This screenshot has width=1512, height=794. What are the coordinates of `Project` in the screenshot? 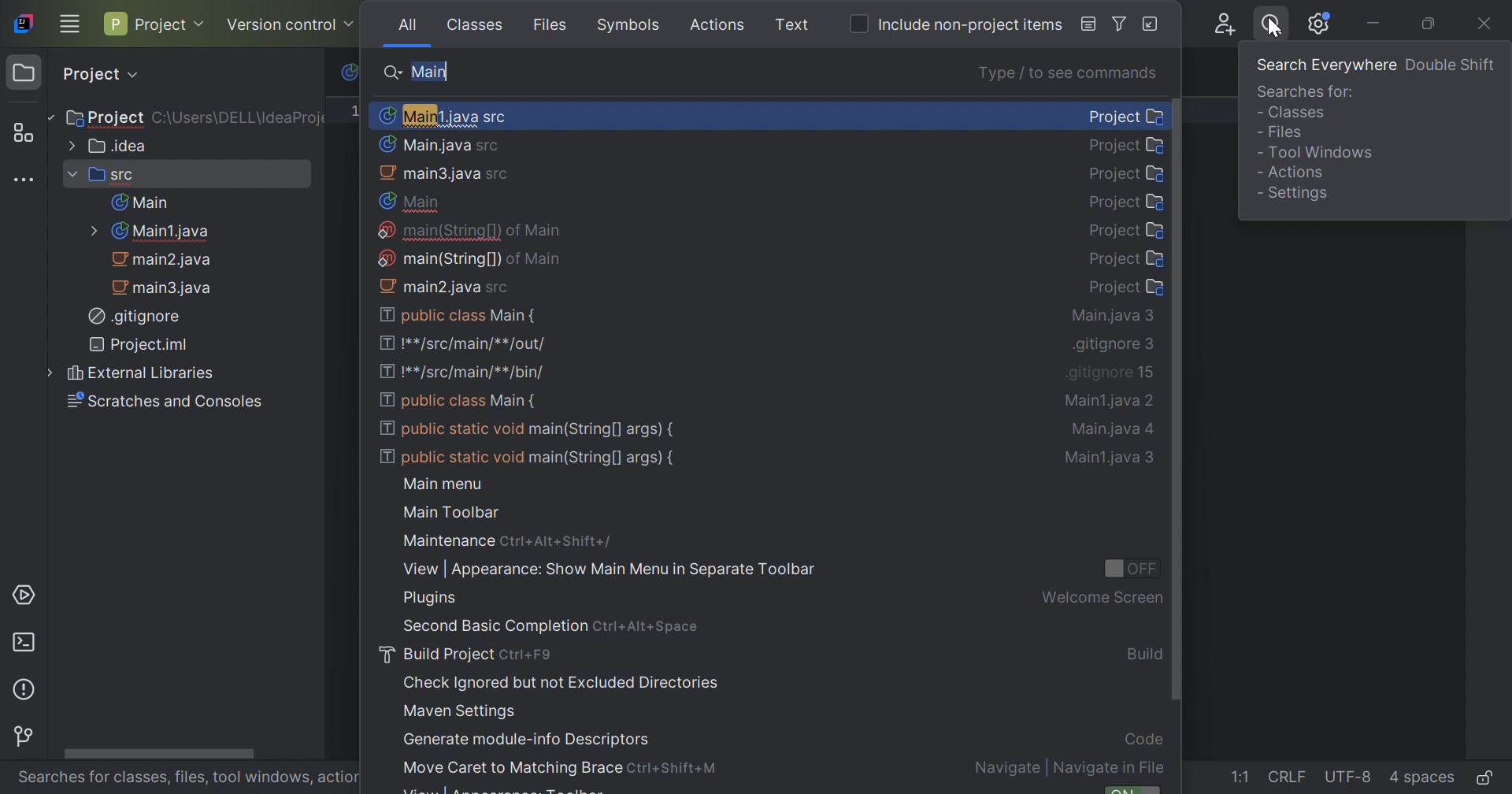 It's located at (1124, 146).